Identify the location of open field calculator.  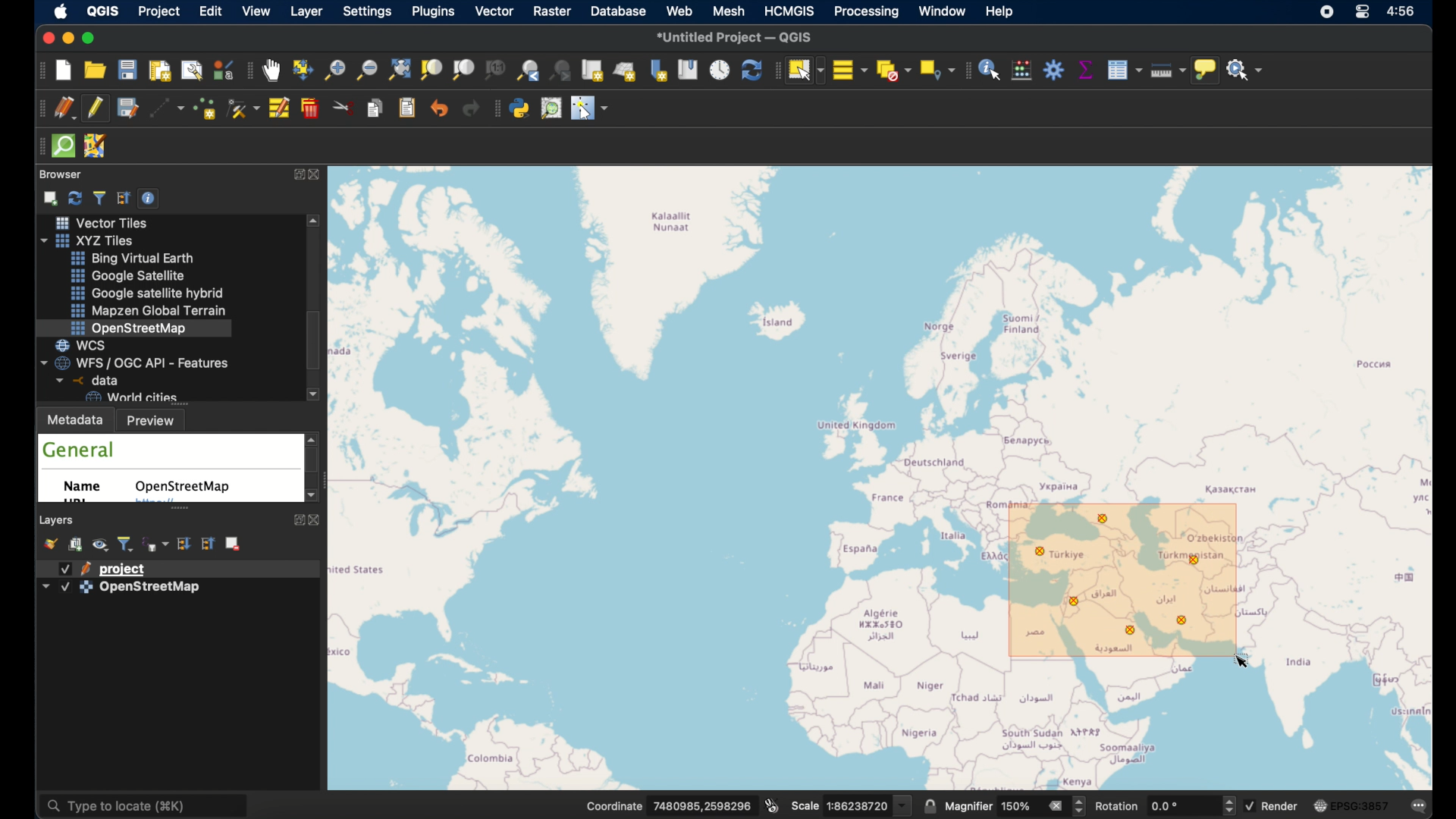
(1022, 70).